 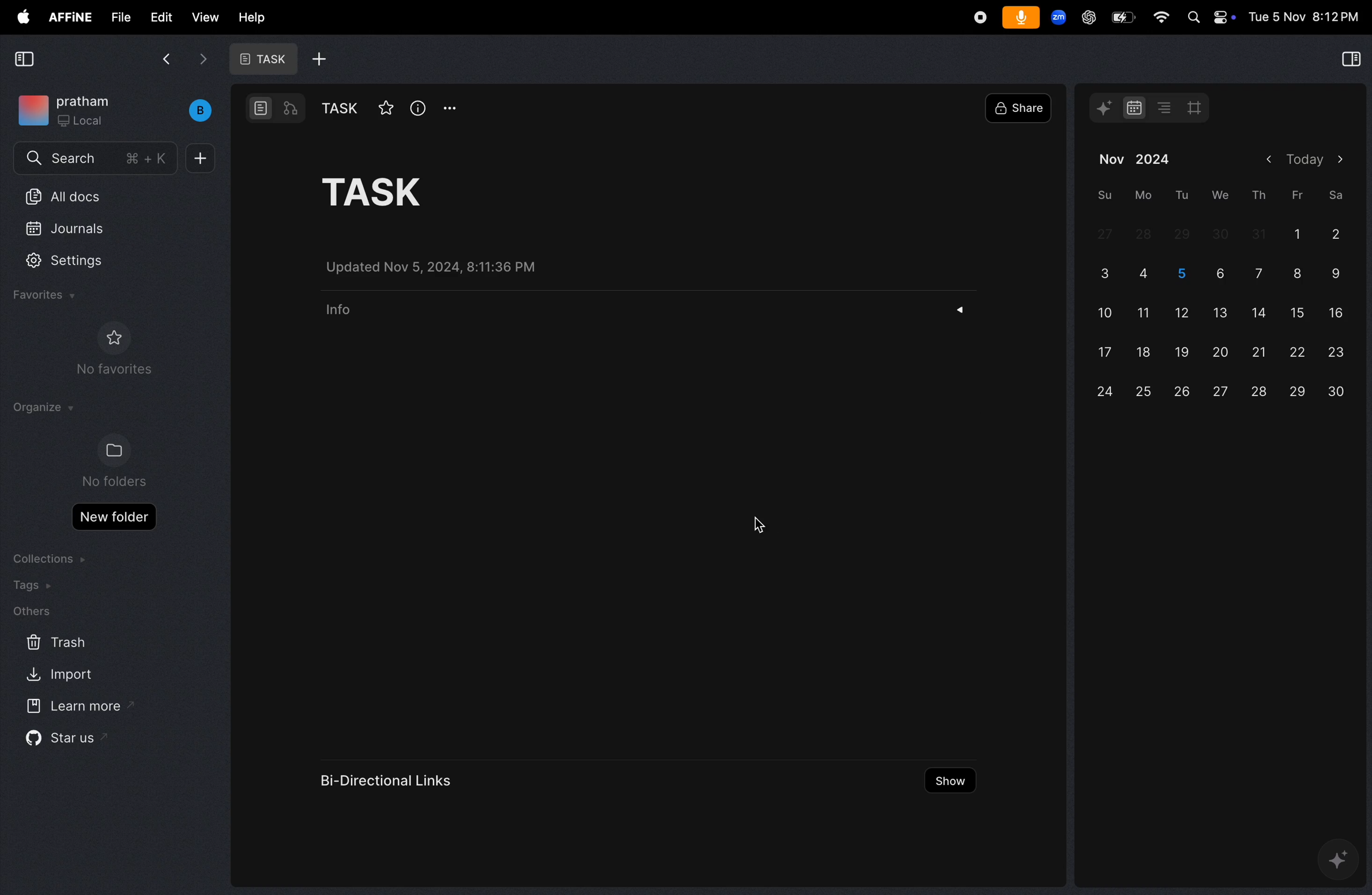 I want to click on info, so click(x=418, y=108).